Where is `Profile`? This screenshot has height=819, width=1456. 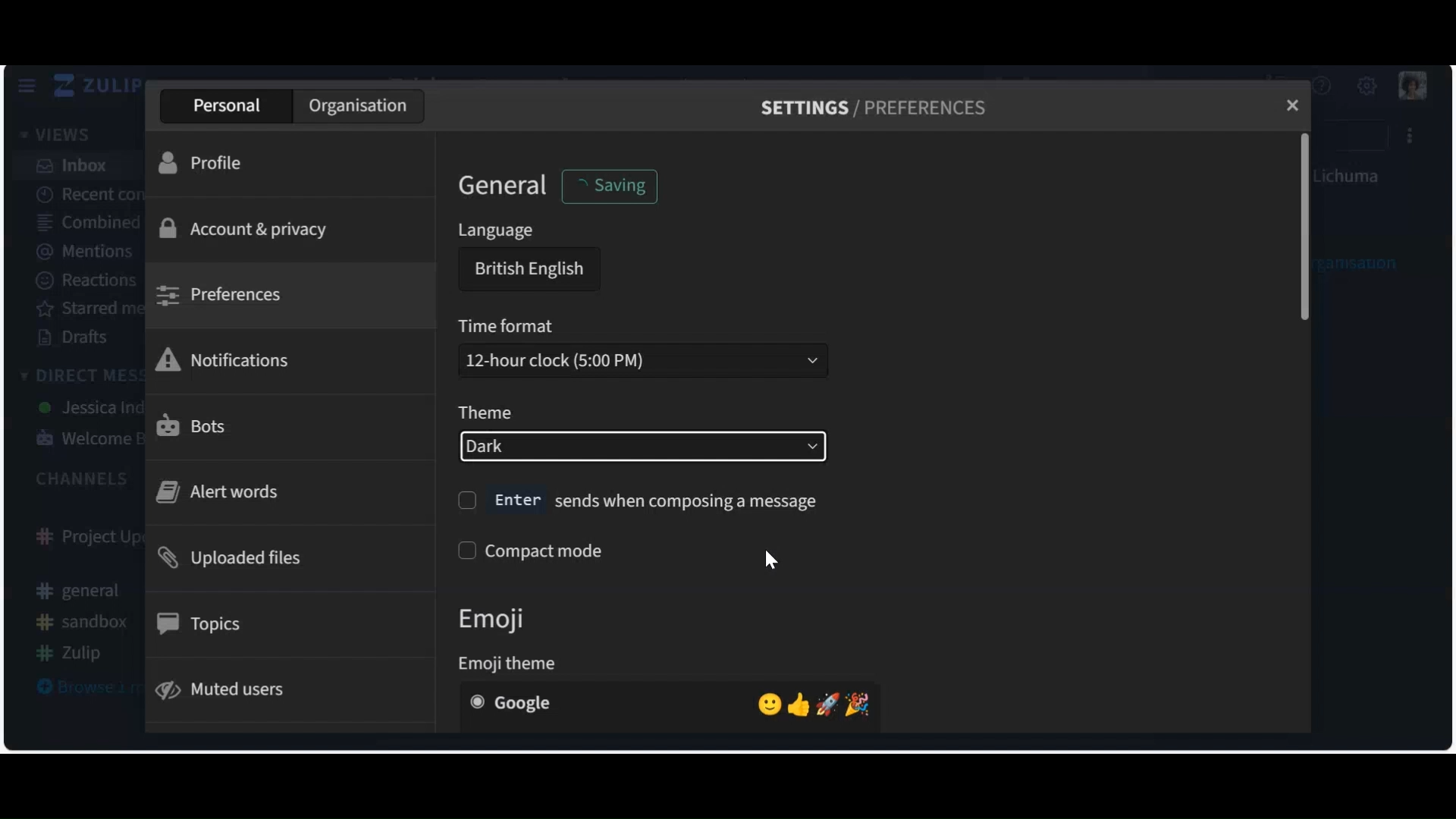 Profile is located at coordinates (202, 164).